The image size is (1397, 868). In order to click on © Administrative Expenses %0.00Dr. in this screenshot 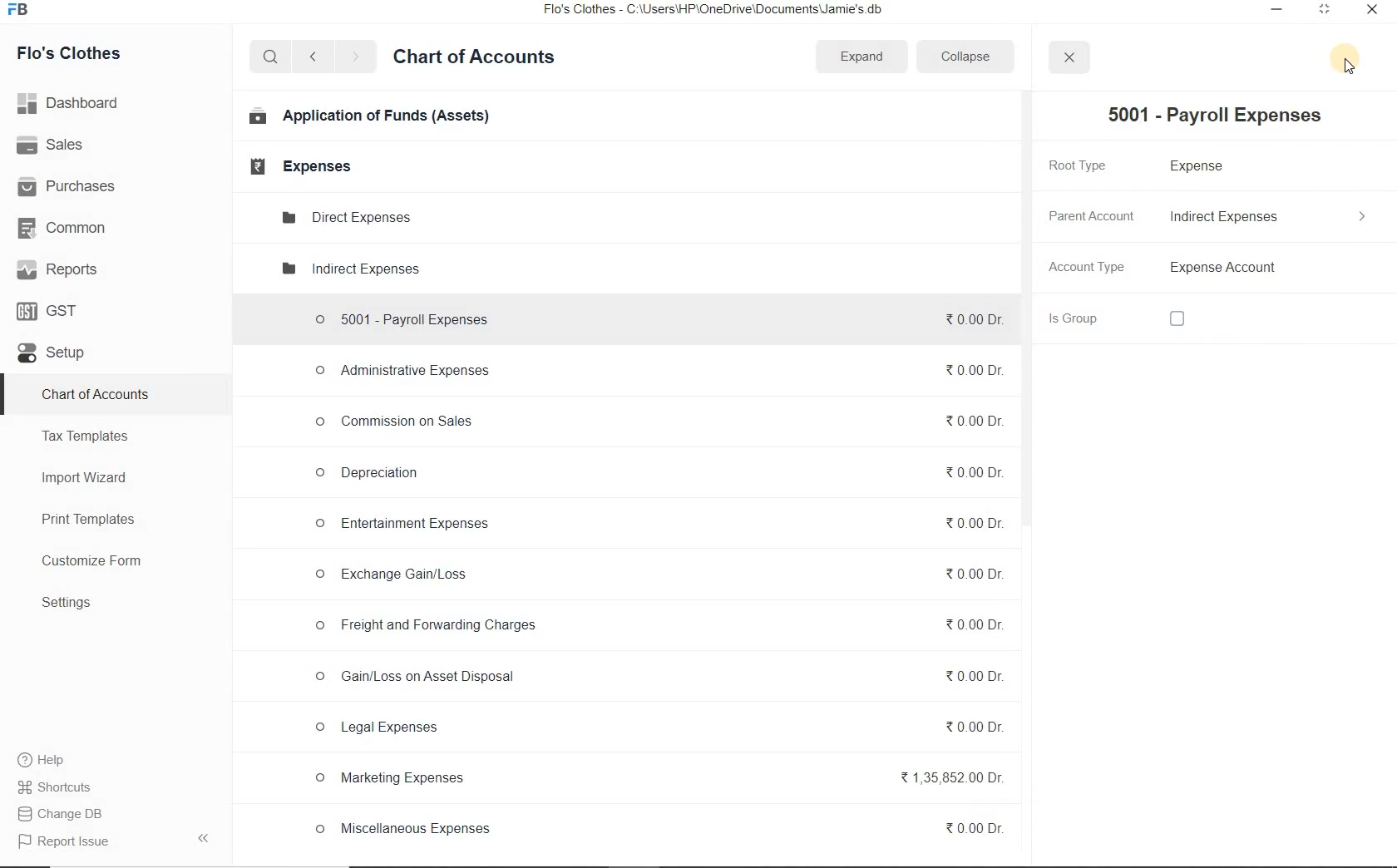, I will do `click(652, 372)`.